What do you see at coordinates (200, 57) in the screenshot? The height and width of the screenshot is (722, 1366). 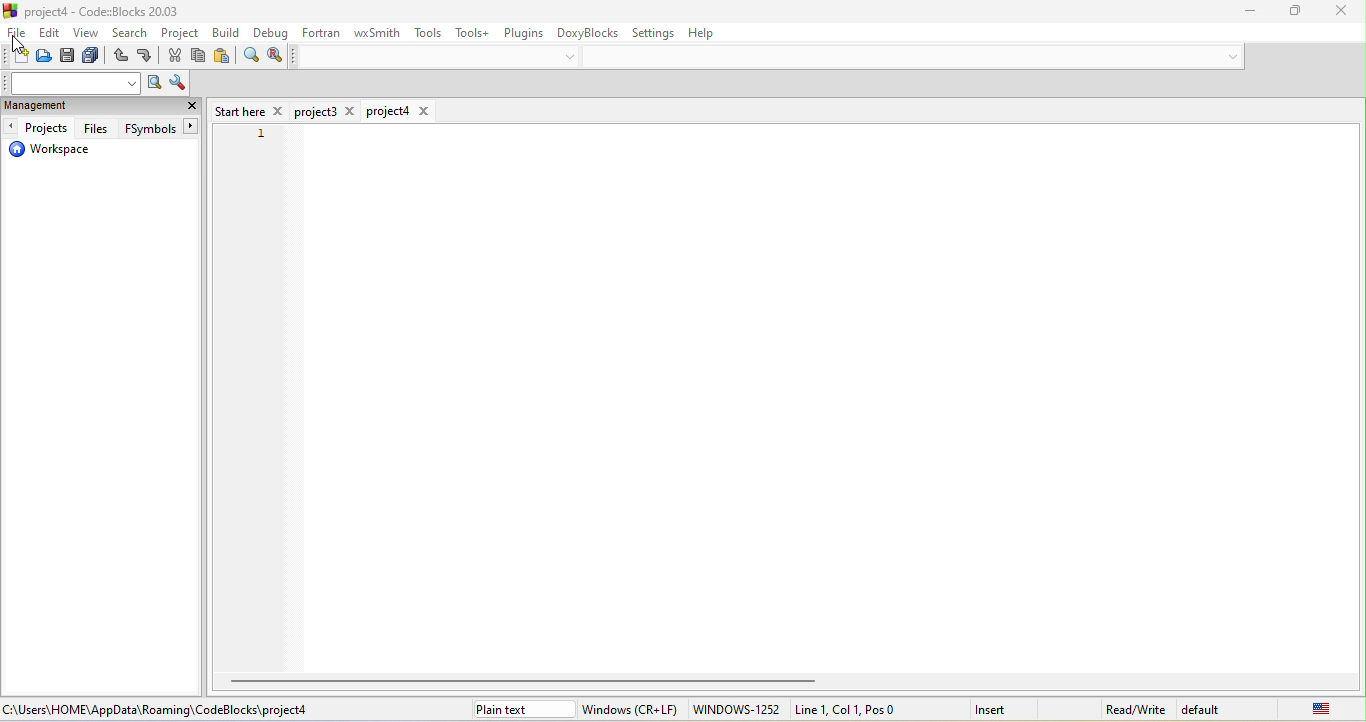 I see `copy` at bounding box center [200, 57].